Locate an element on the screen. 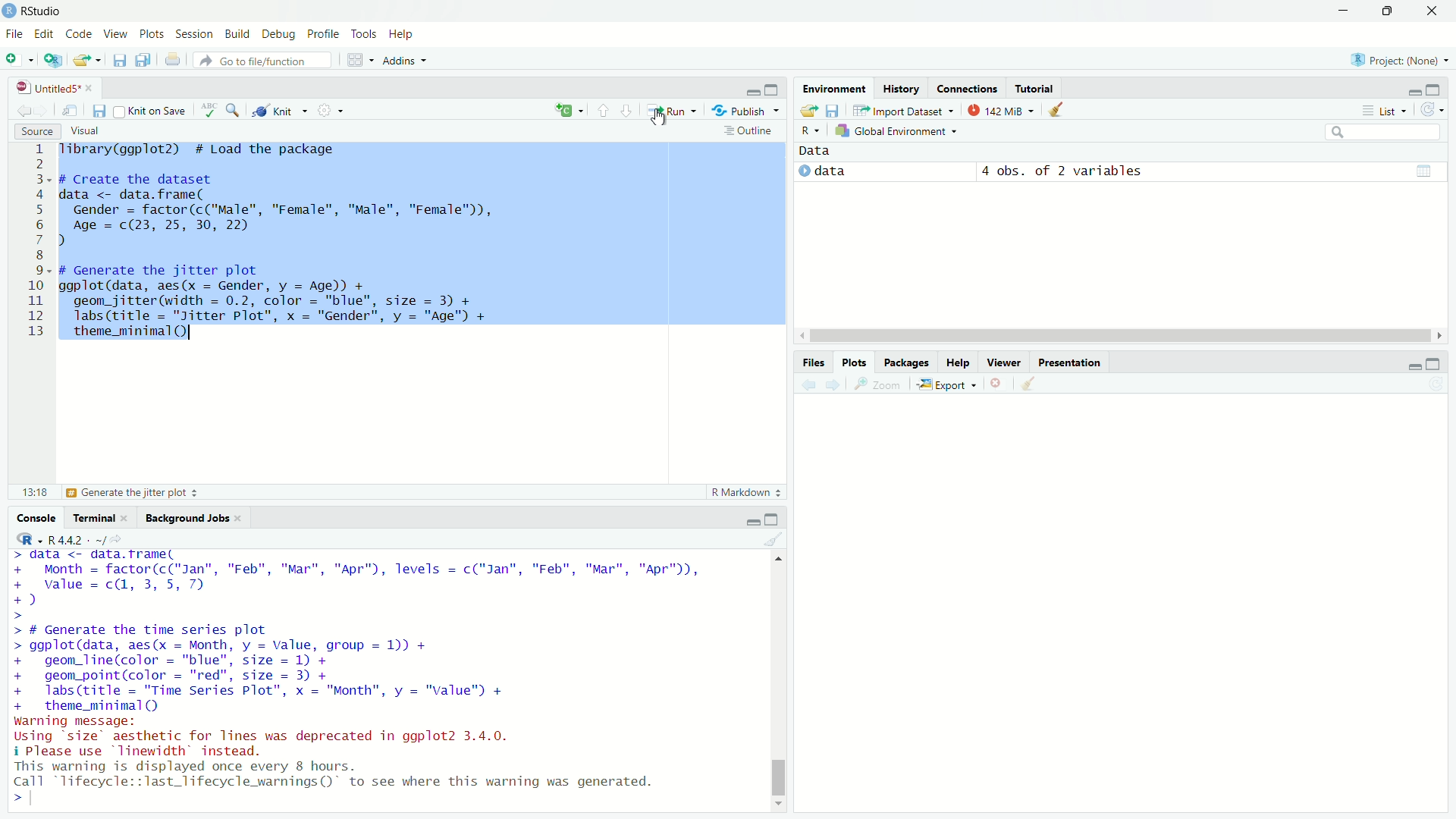 The image size is (1456, 819). print the file is located at coordinates (171, 59).